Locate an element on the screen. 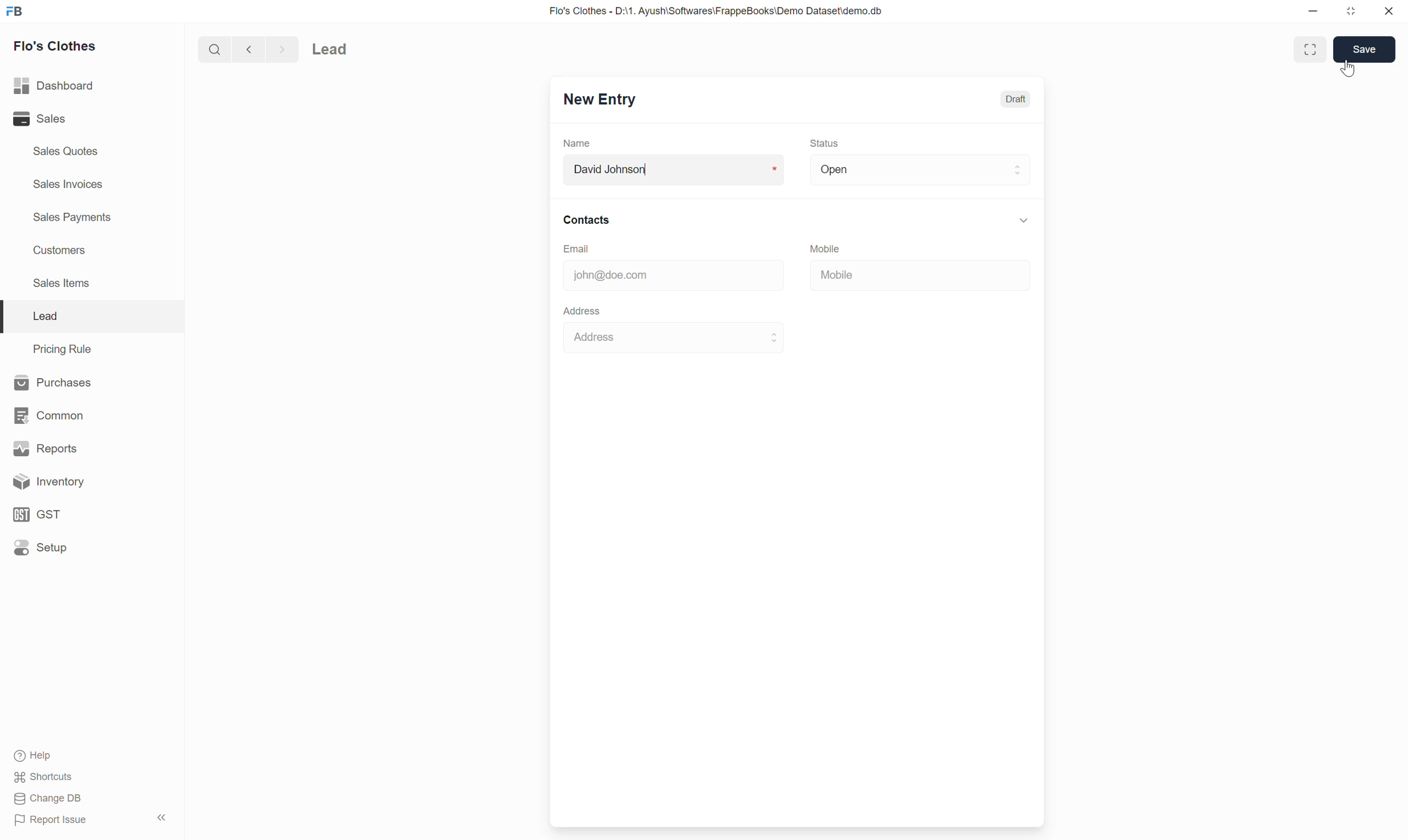  close is located at coordinates (1387, 11).